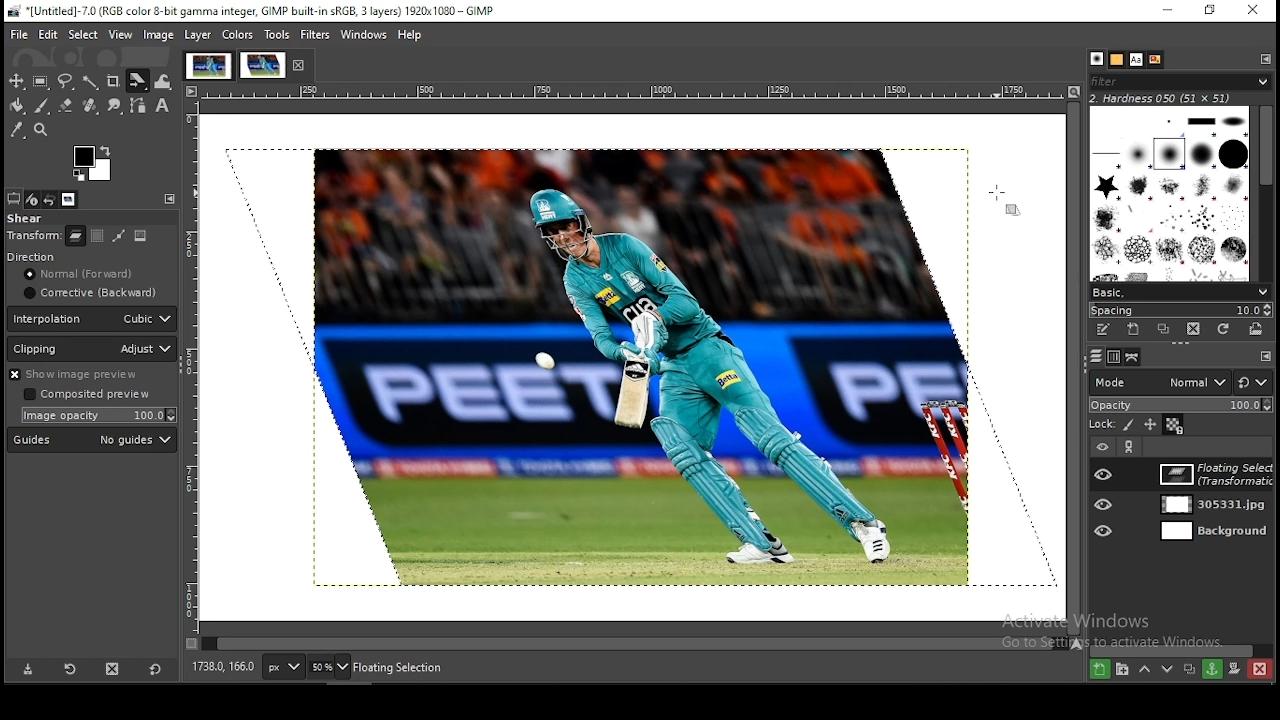  What do you see at coordinates (45, 107) in the screenshot?
I see `paint brush tool` at bounding box center [45, 107].